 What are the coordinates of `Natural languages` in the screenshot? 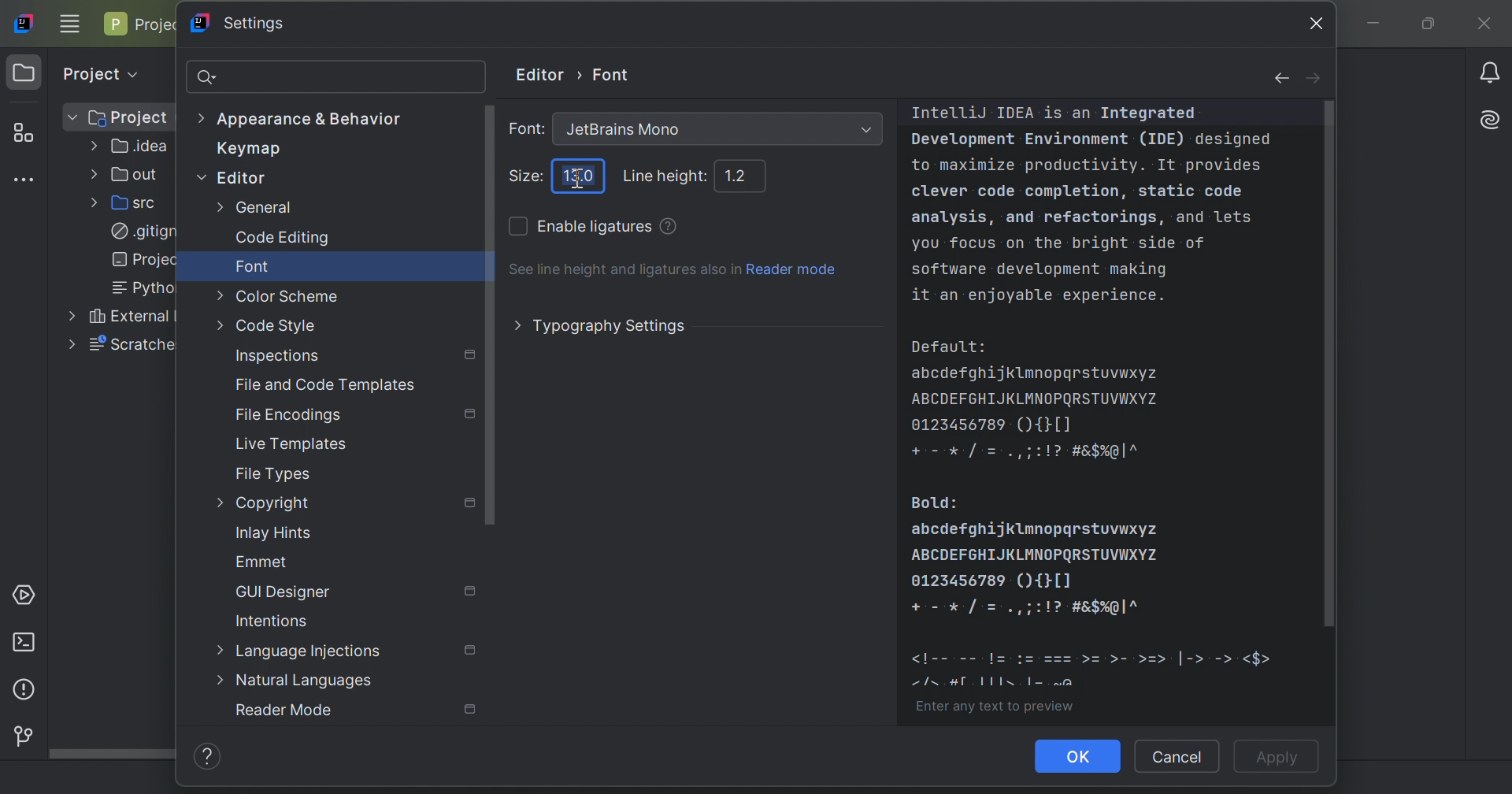 It's located at (295, 682).